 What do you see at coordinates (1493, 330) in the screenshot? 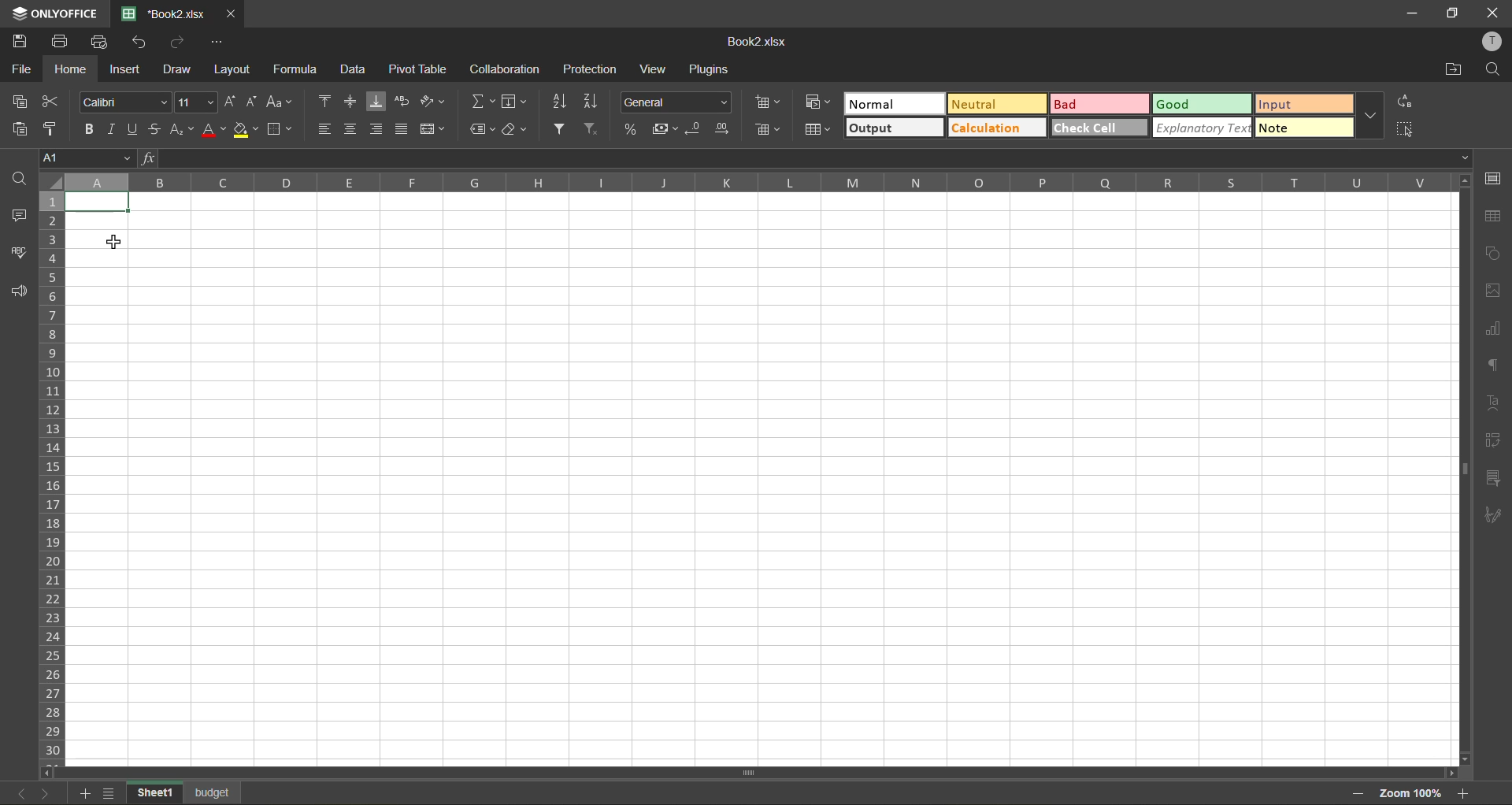
I see `charts` at bounding box center [1493, 330].